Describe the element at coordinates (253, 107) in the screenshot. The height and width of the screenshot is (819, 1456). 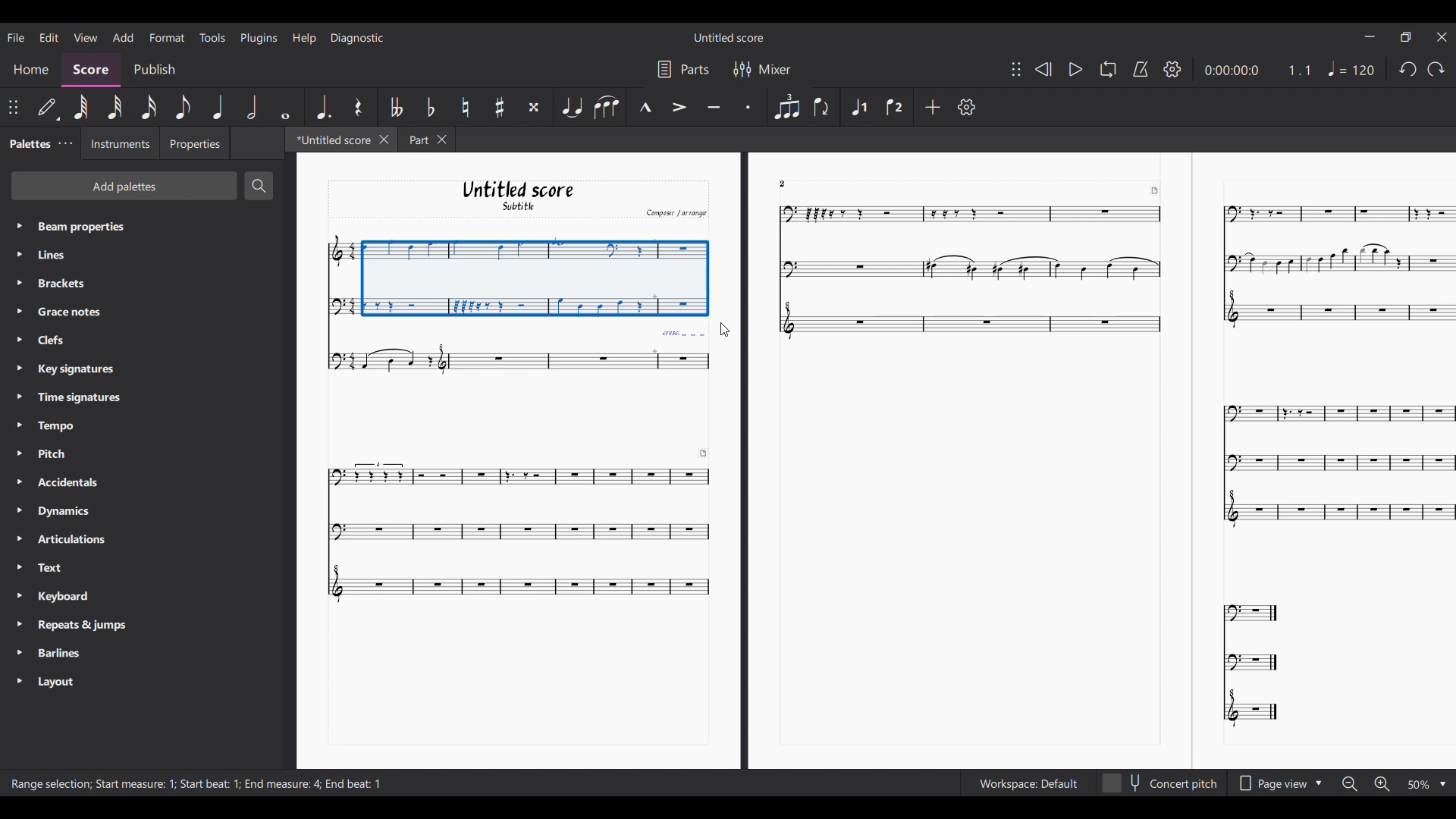
I see `Half note` at that location.